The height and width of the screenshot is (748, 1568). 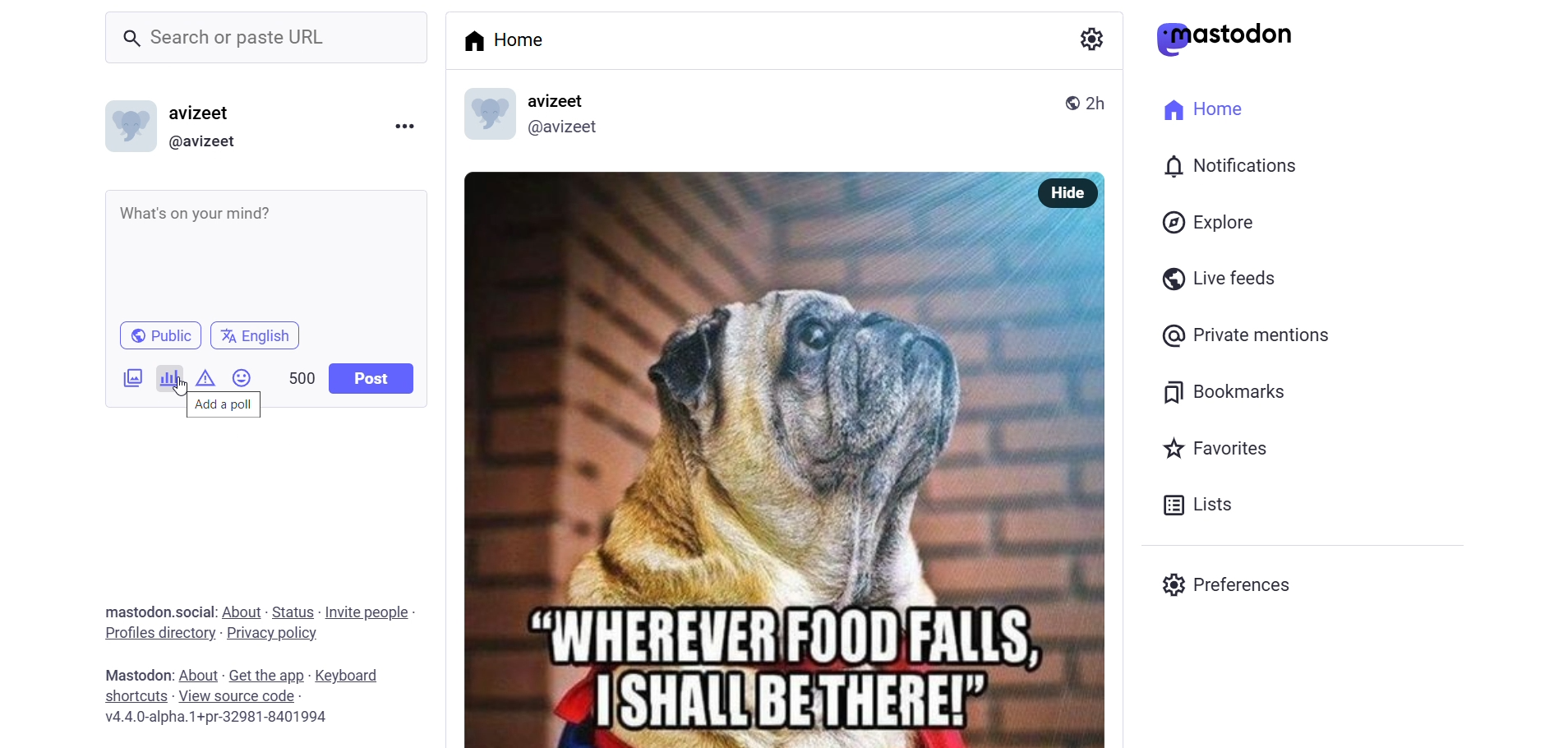 I want to click on private mention, so click(x=1247, y=335).